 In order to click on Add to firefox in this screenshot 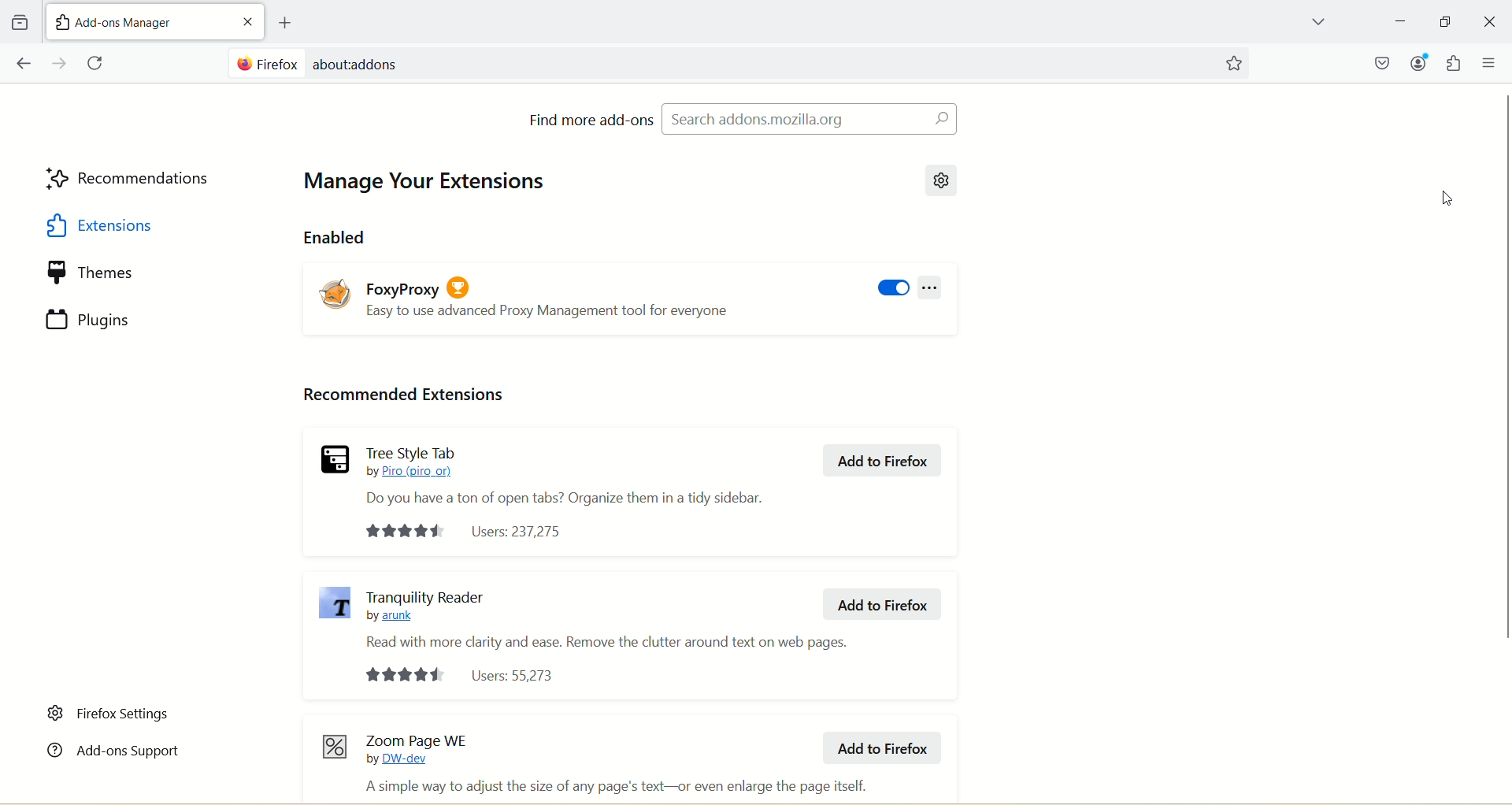, I will do `click(884, 461)`.